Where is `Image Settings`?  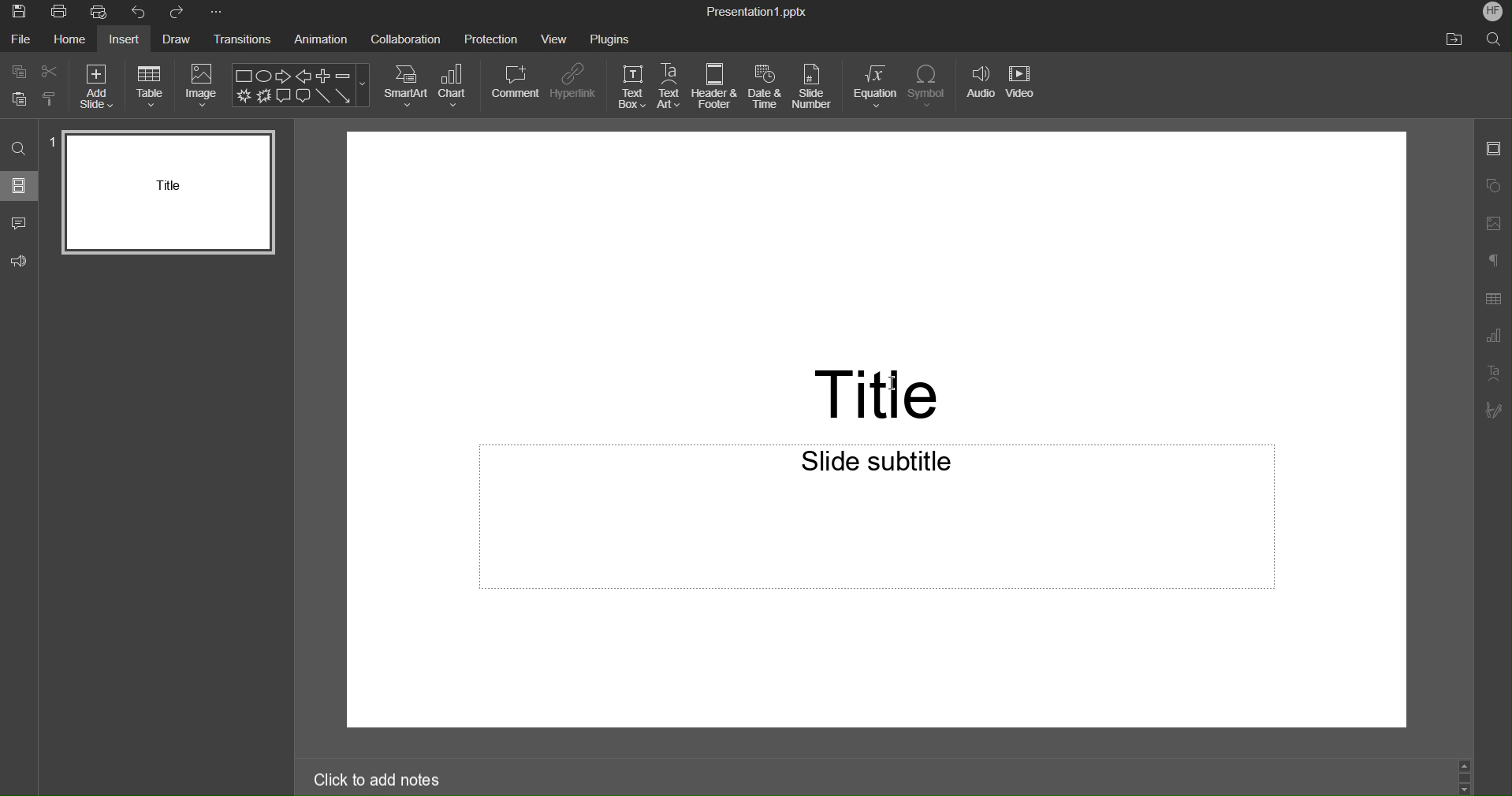
Image Settings is located at coordinates (1492, 224).